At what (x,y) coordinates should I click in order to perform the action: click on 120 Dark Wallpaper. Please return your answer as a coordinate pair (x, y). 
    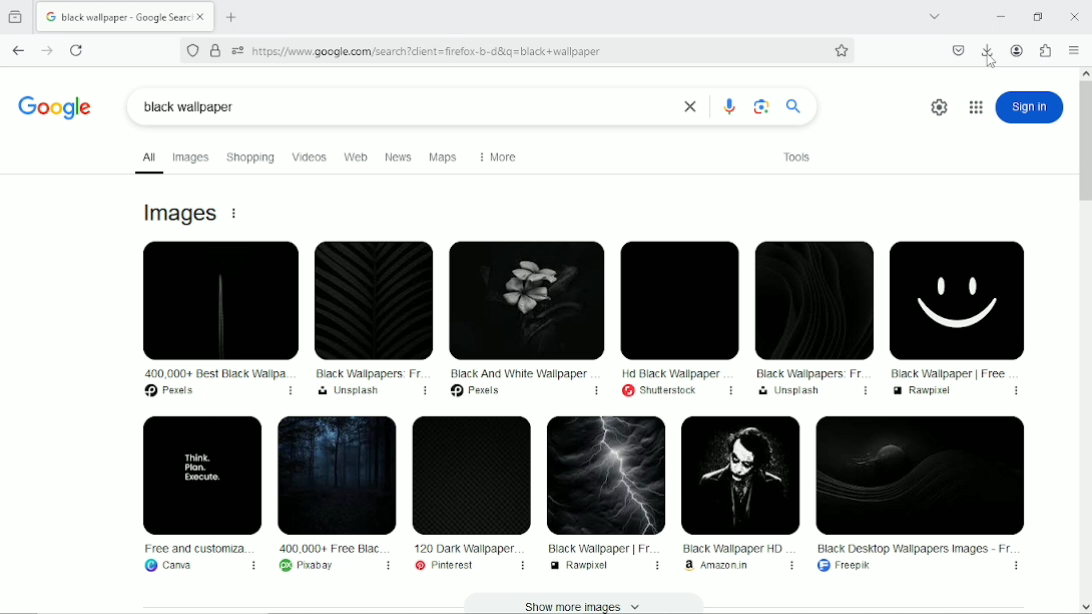
    Looking at the image, I should click on (471, 494).